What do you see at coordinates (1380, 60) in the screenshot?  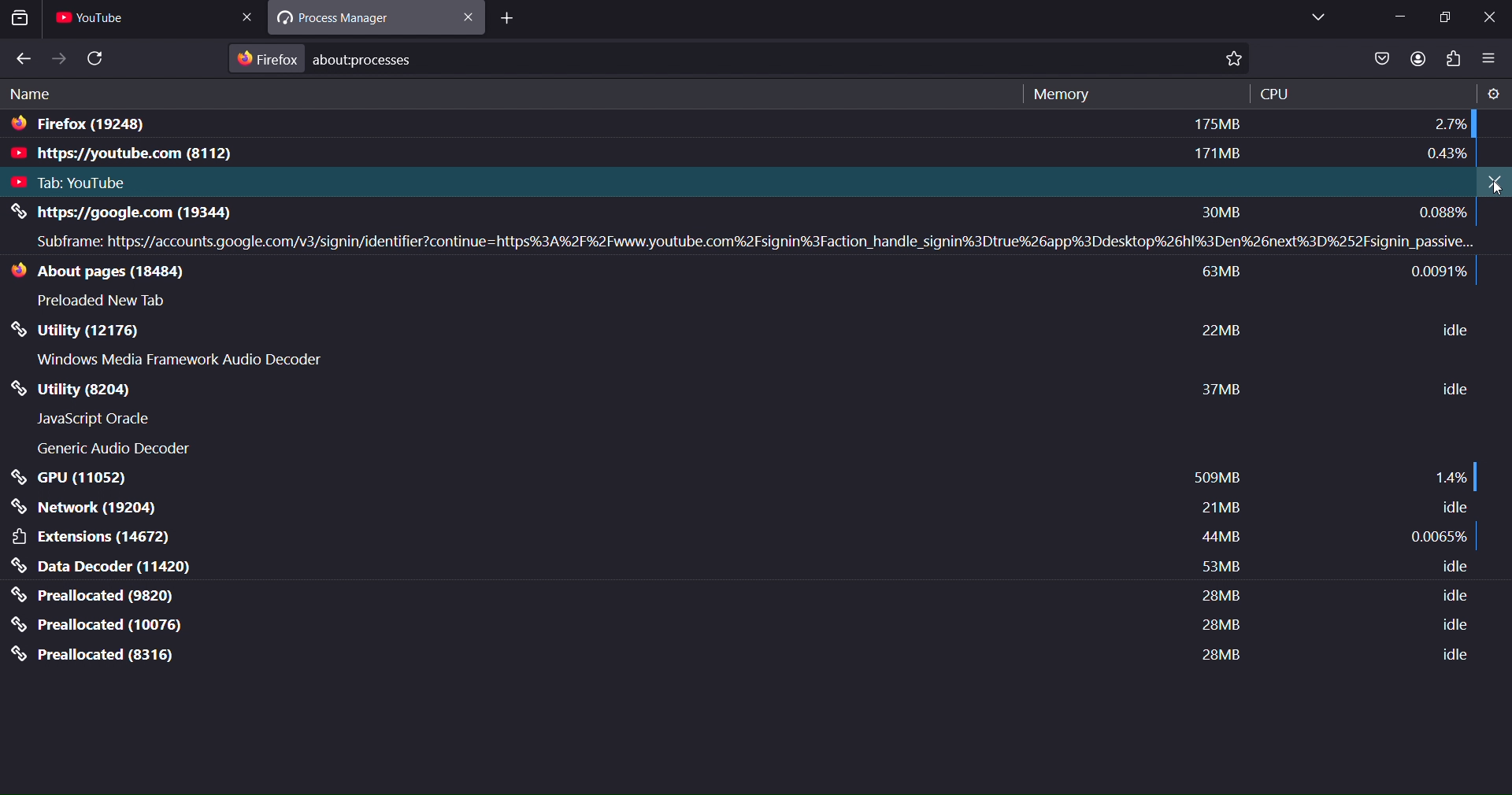 I see `list` at bounding box center [1380, 60].